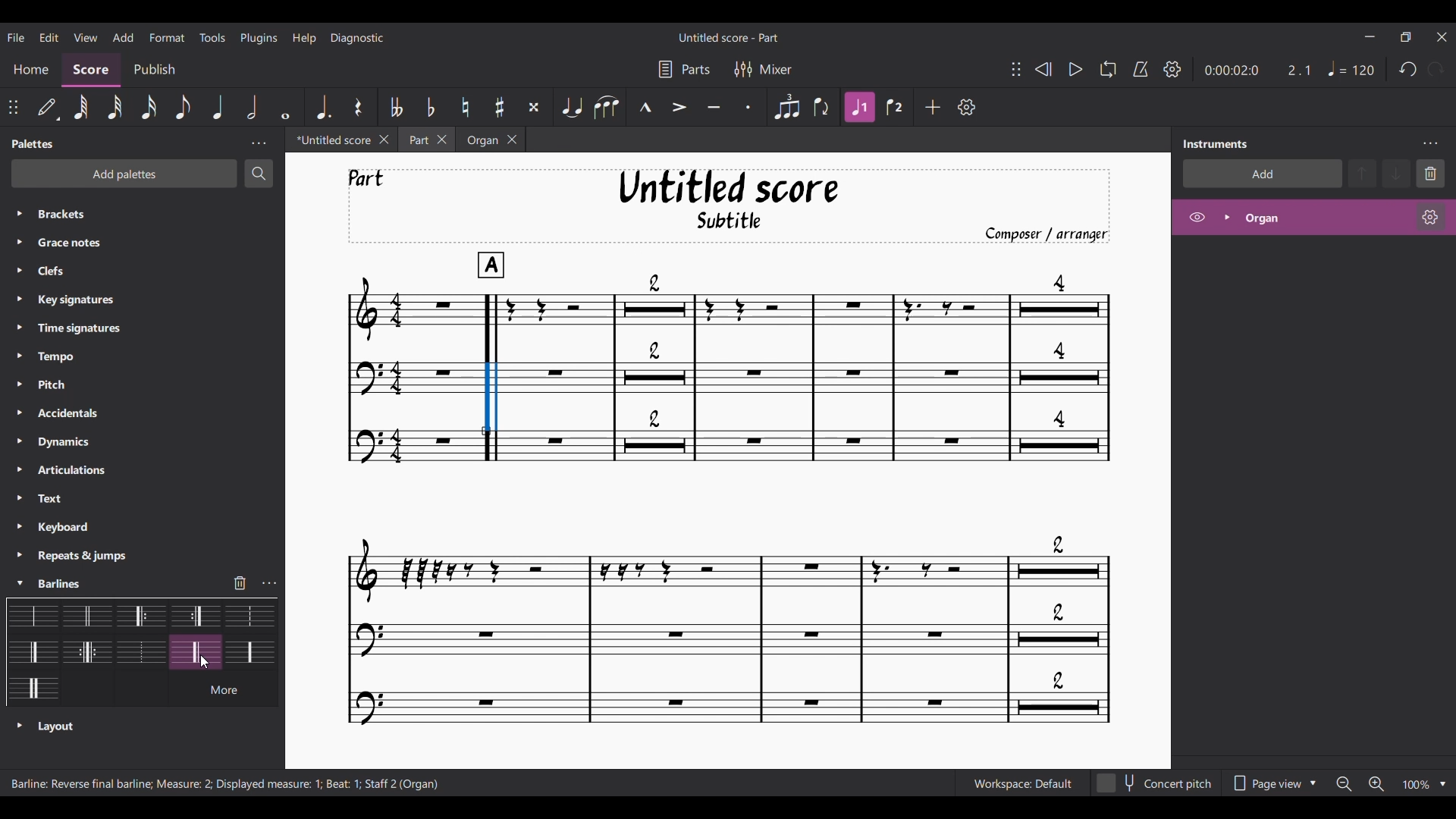  I want to click on Current zoom factor , so click(1417, 785).